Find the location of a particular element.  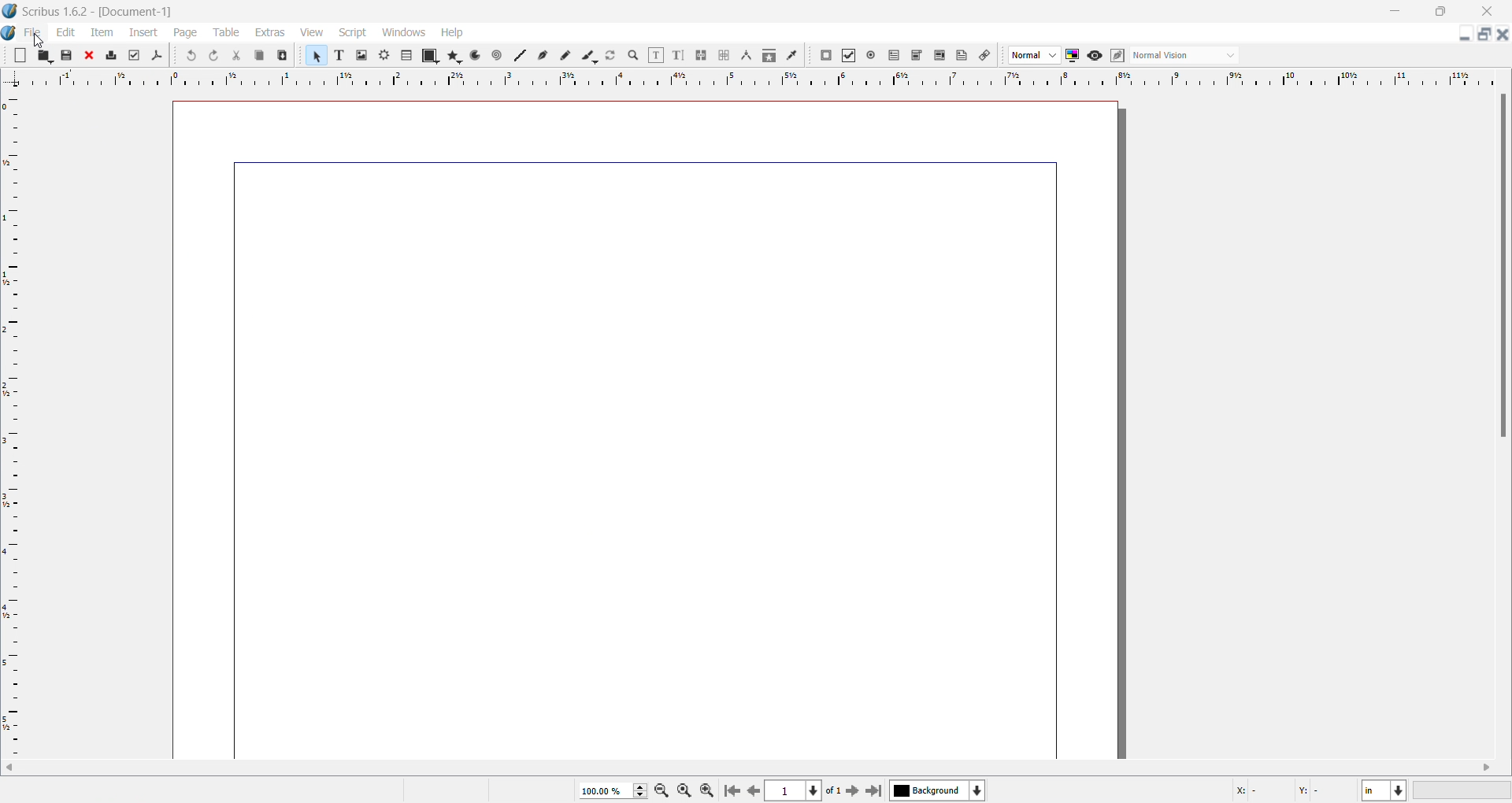

skip to first is located at coordinates (732, 790).